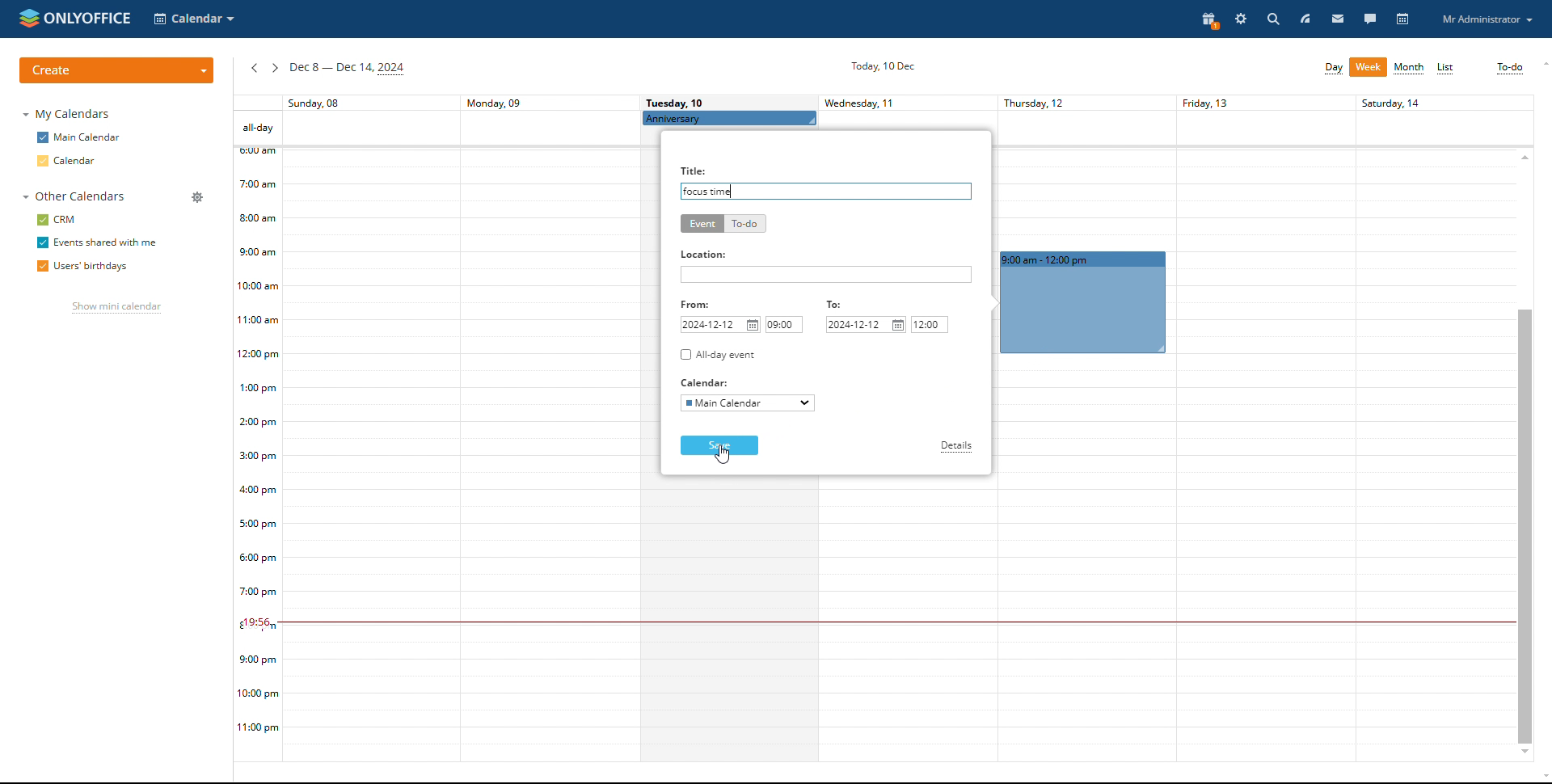 The height and width of the screenshot is (784, 1552). Describe the element at coordinates (1206, 20) in the screenshot. I see `present` at that location.